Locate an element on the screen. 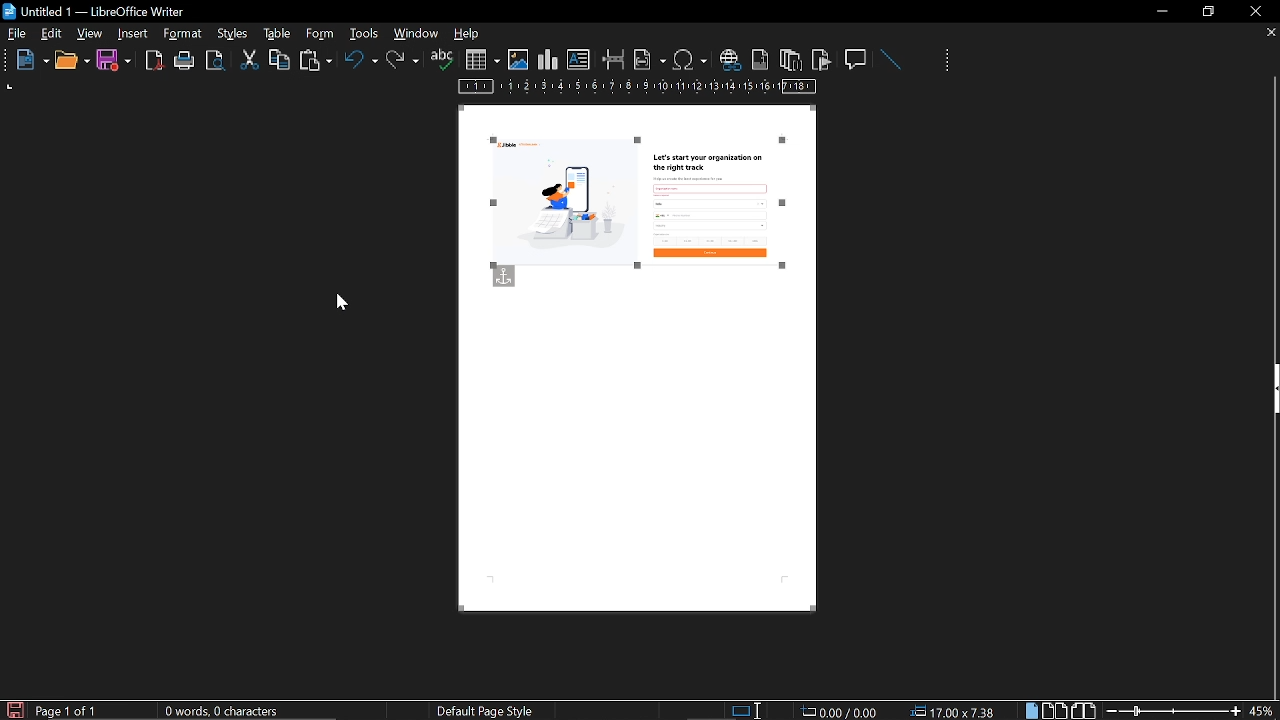 This screenshot has height=720, width=1280. undo is located at coordinates (361, 63).